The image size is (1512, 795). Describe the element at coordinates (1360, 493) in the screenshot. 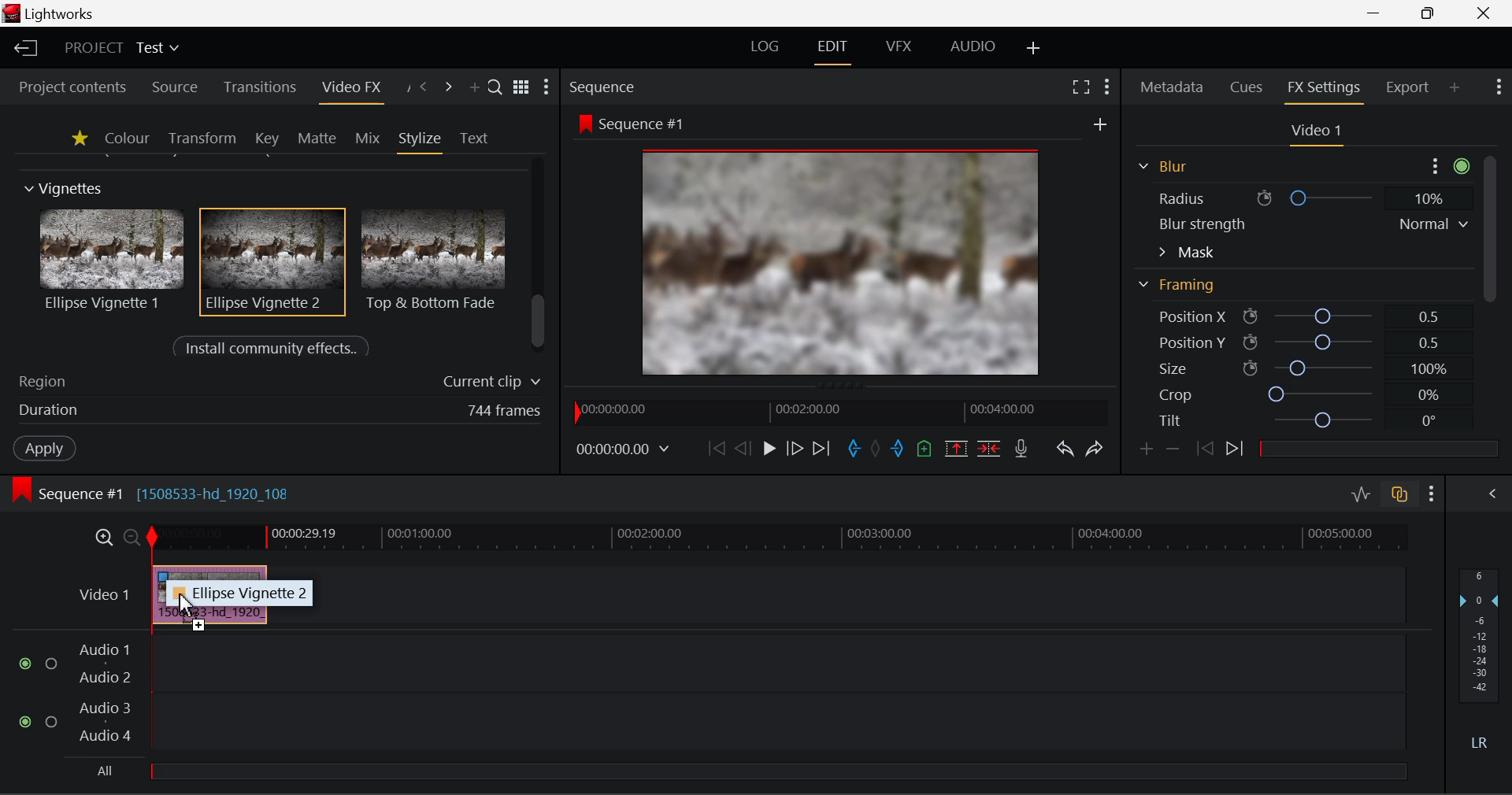

I see `Toggle audio levels editing` at that location.